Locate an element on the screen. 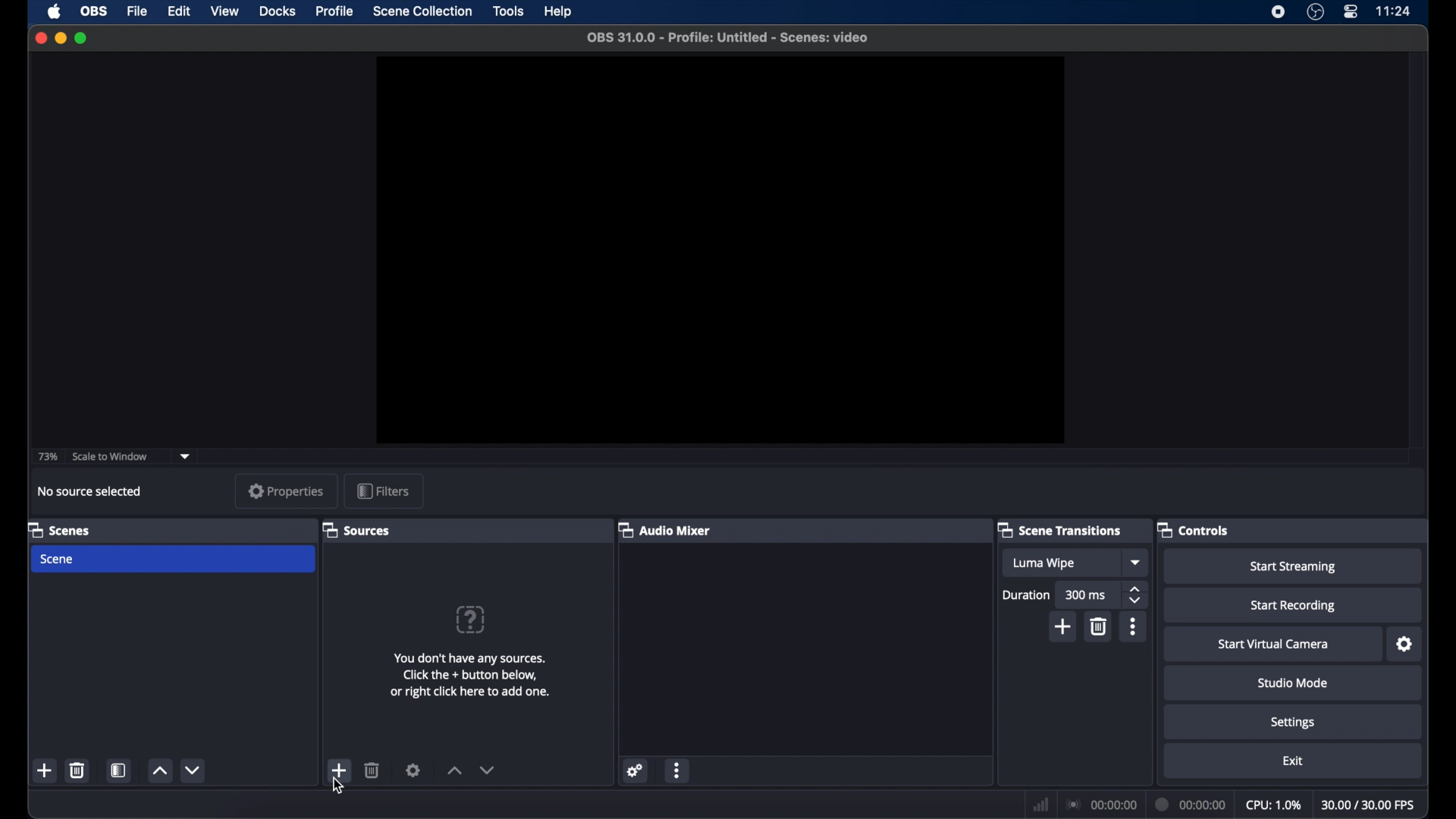 This screenshot has width=1456, height=819. scale to window is located at coordinates (110, 457).